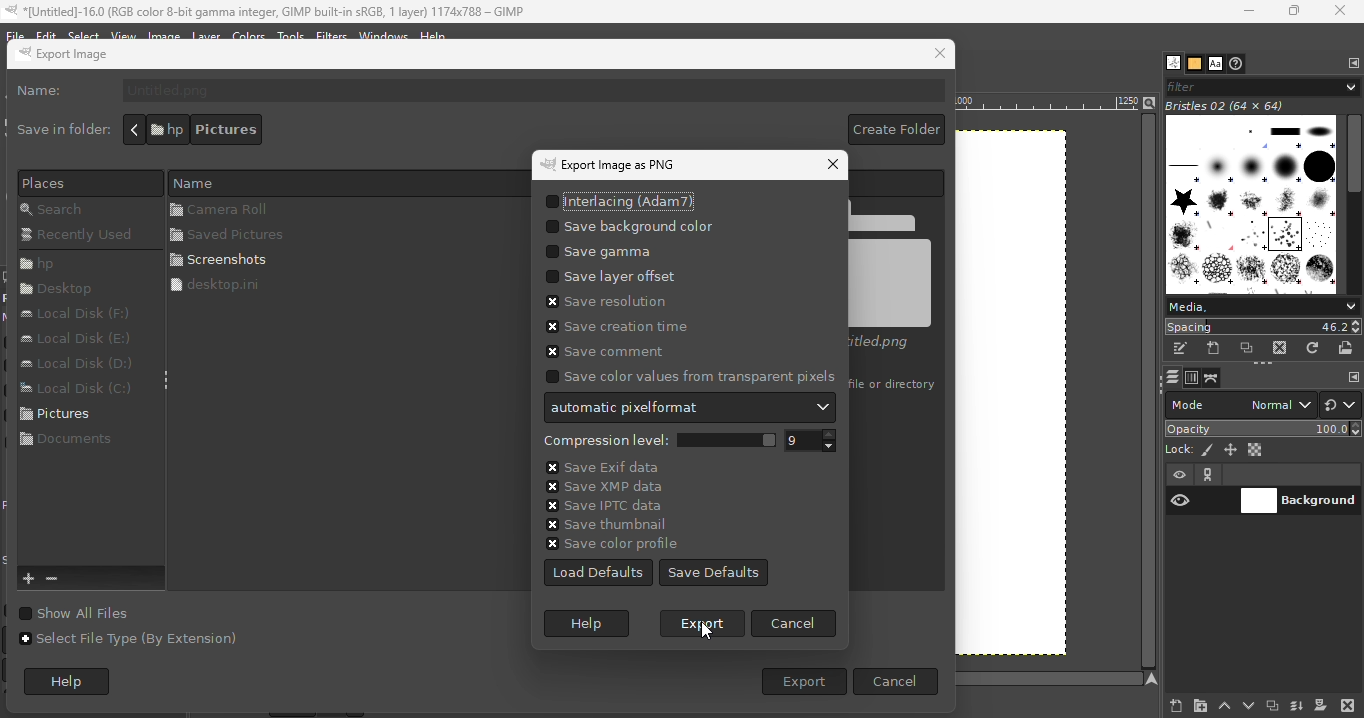 This screenshot has width=1364, height=718. What do you see at coordinates (30, 579) in the screenshot?
I see `Add the folder to the bookmarks` at bounding box center [30, 579].